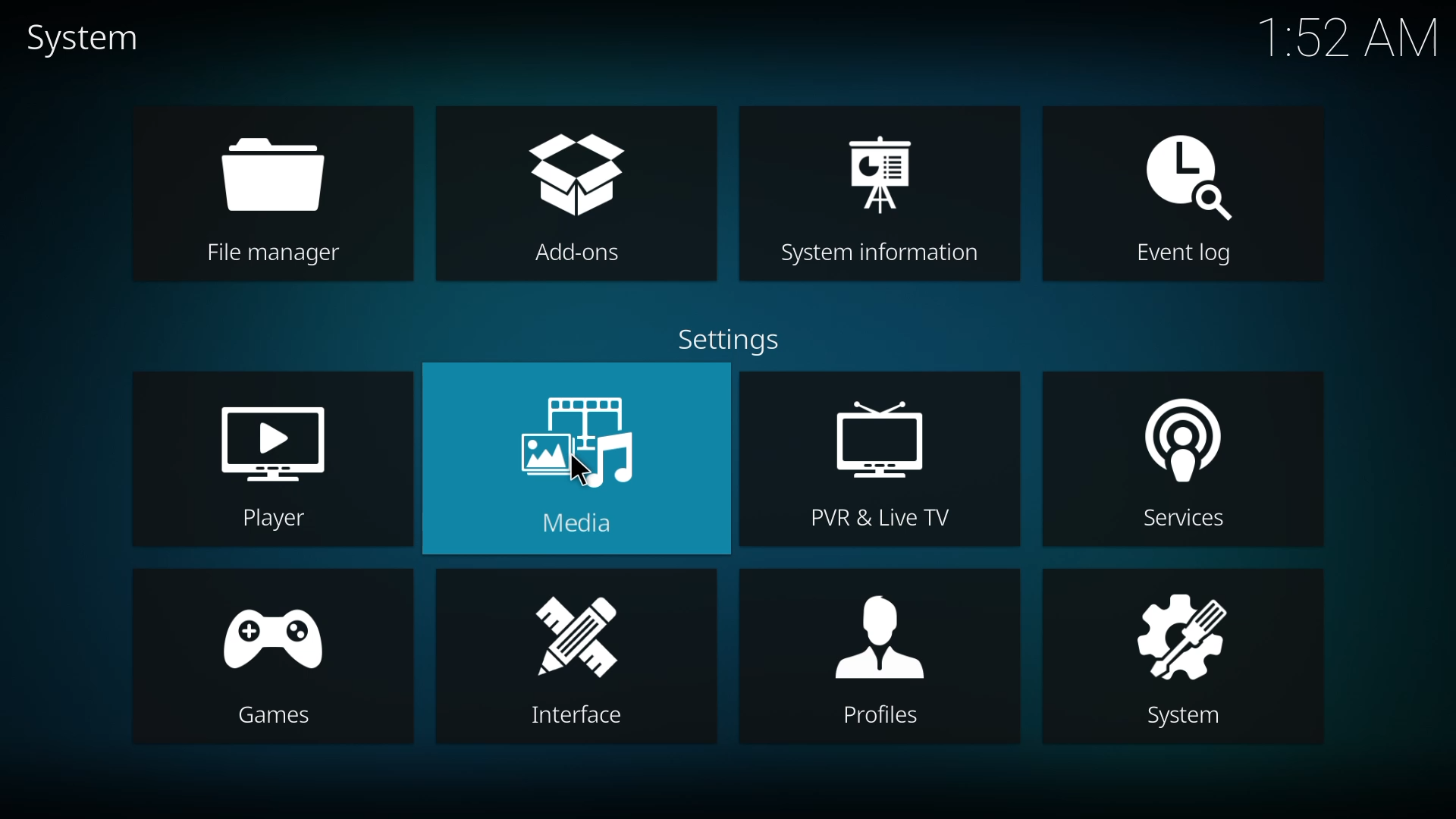 This screenshot has height=819, width=1456. What do you see at coordinates (98, 37) in the screenshot?
I see `system` at bounding box center [98, 37].